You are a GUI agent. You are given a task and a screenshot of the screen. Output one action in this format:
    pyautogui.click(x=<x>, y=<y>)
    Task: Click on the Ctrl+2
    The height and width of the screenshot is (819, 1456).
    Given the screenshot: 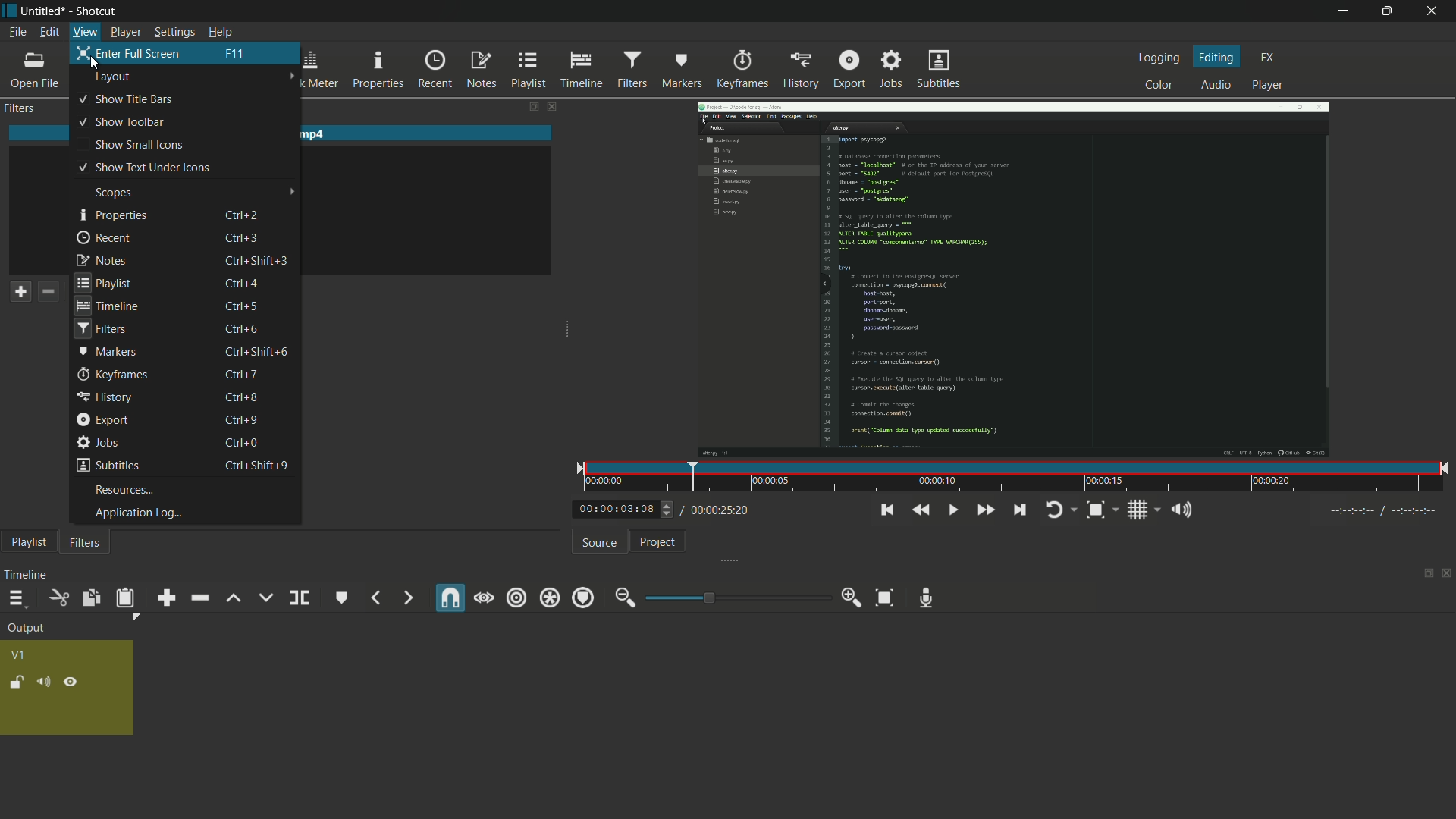 What is the action you would take?
    pyautogui.click(x=242, y=216)
    